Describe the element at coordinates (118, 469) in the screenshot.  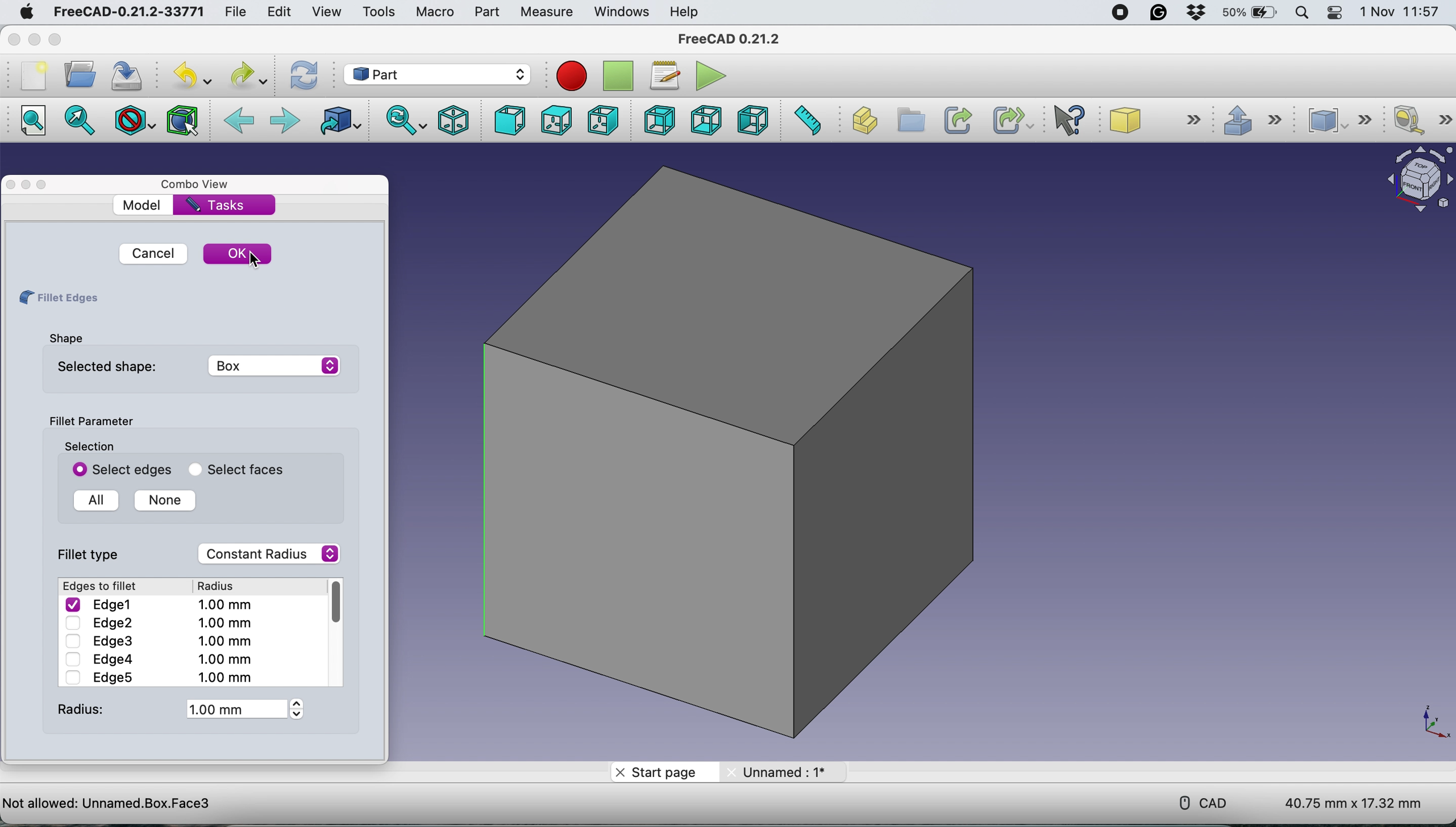
I see `Selected Edges` at that location.